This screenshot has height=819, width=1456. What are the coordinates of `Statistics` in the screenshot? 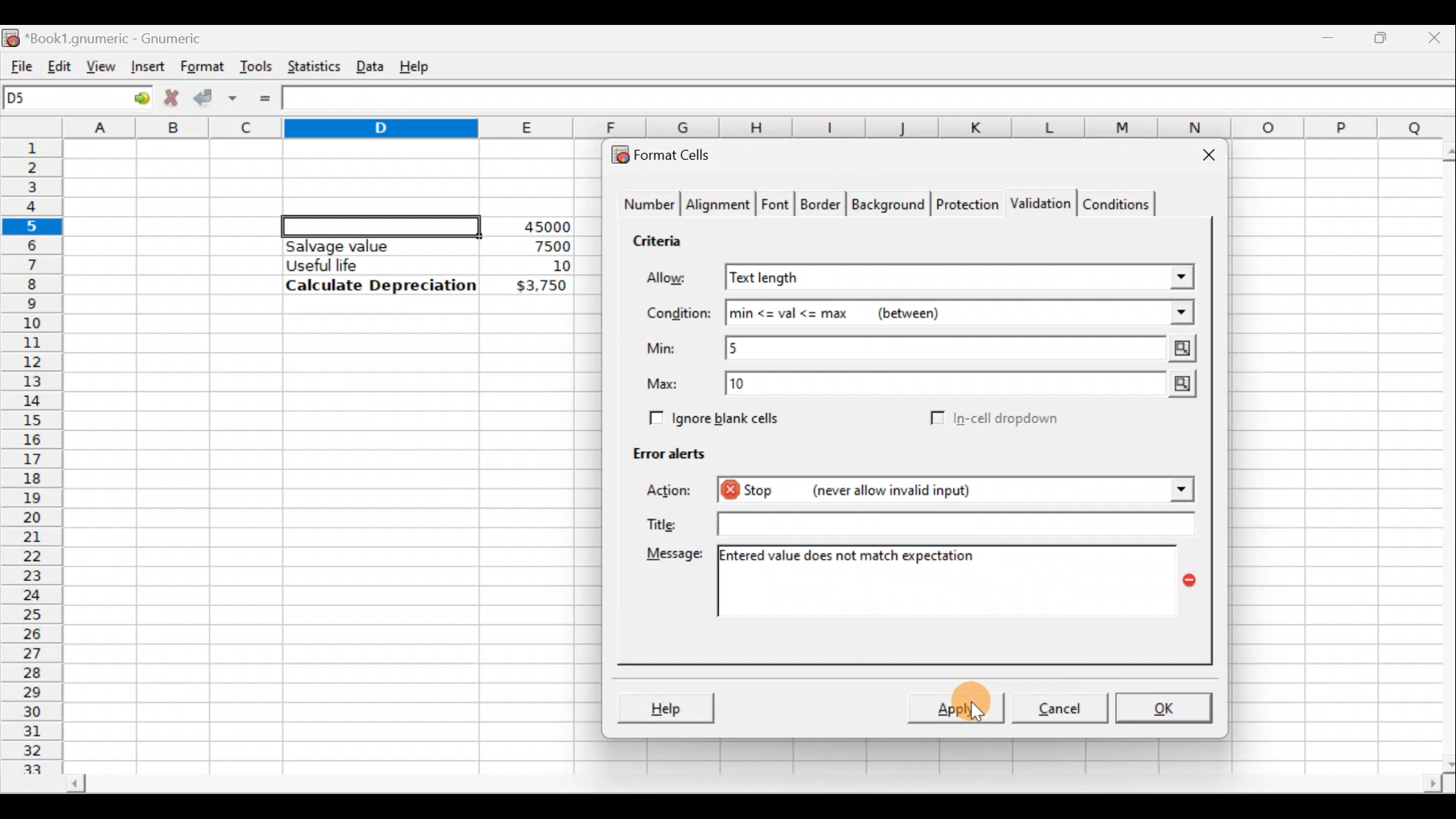 It's located at (310, 65).